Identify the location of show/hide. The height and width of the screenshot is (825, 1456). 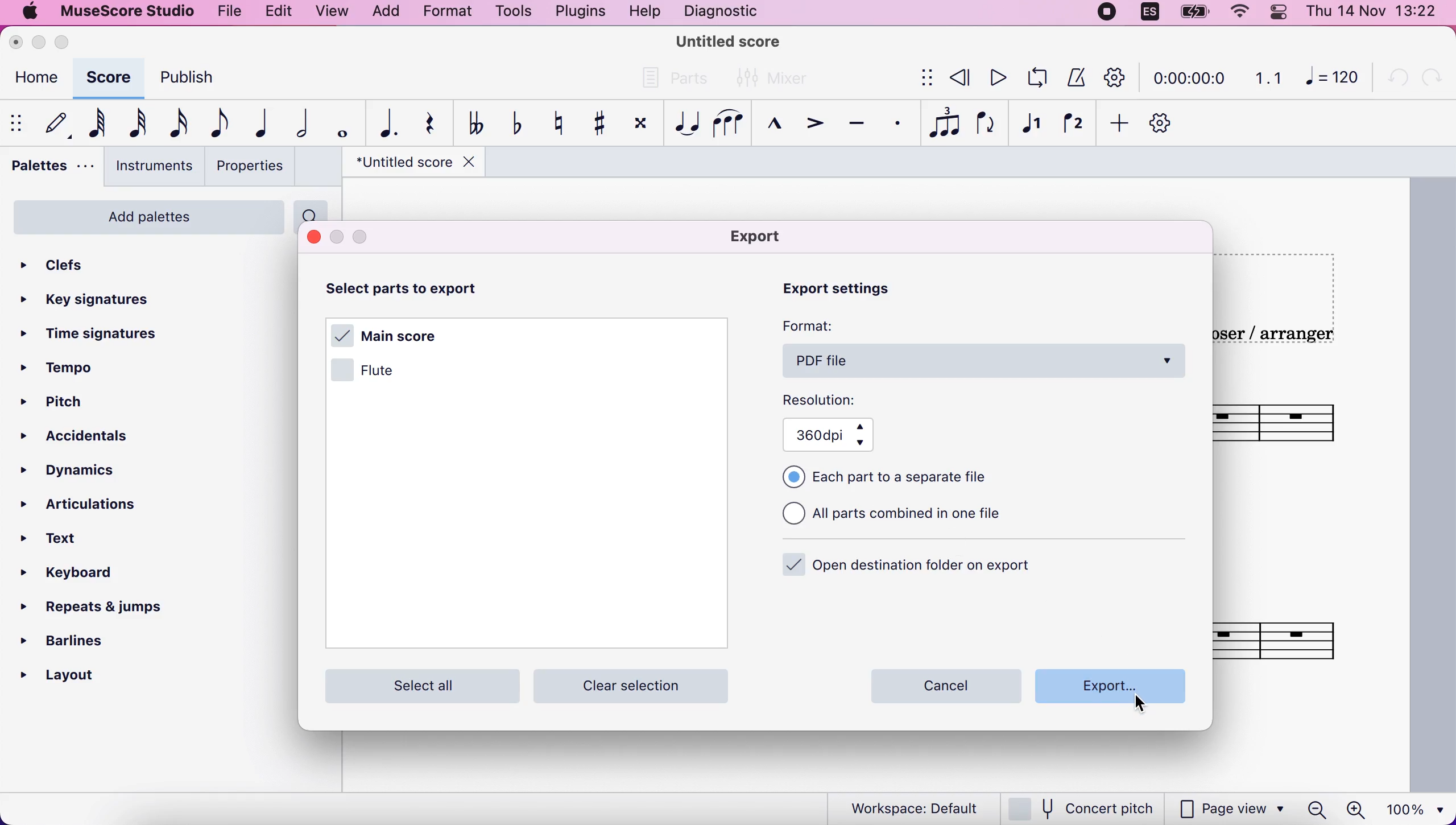
(15, 122).